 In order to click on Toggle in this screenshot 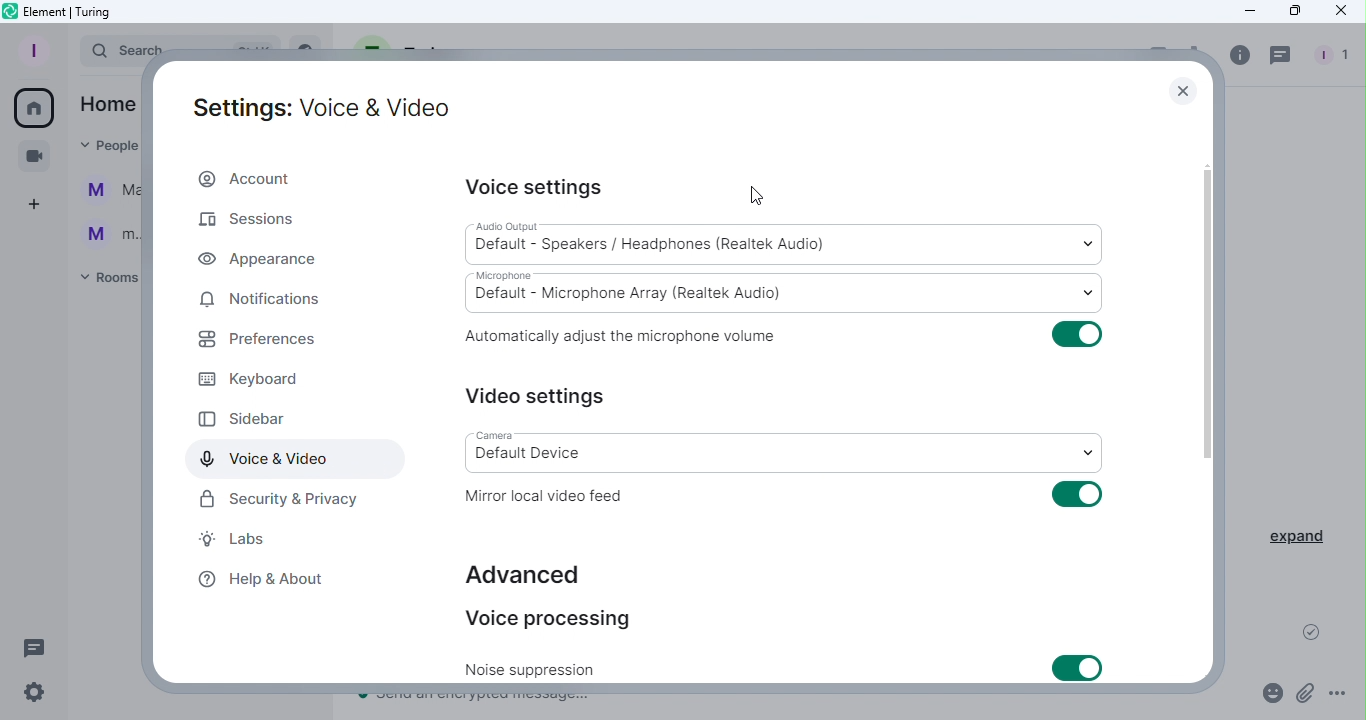, I will do `click(1084, 666)`.